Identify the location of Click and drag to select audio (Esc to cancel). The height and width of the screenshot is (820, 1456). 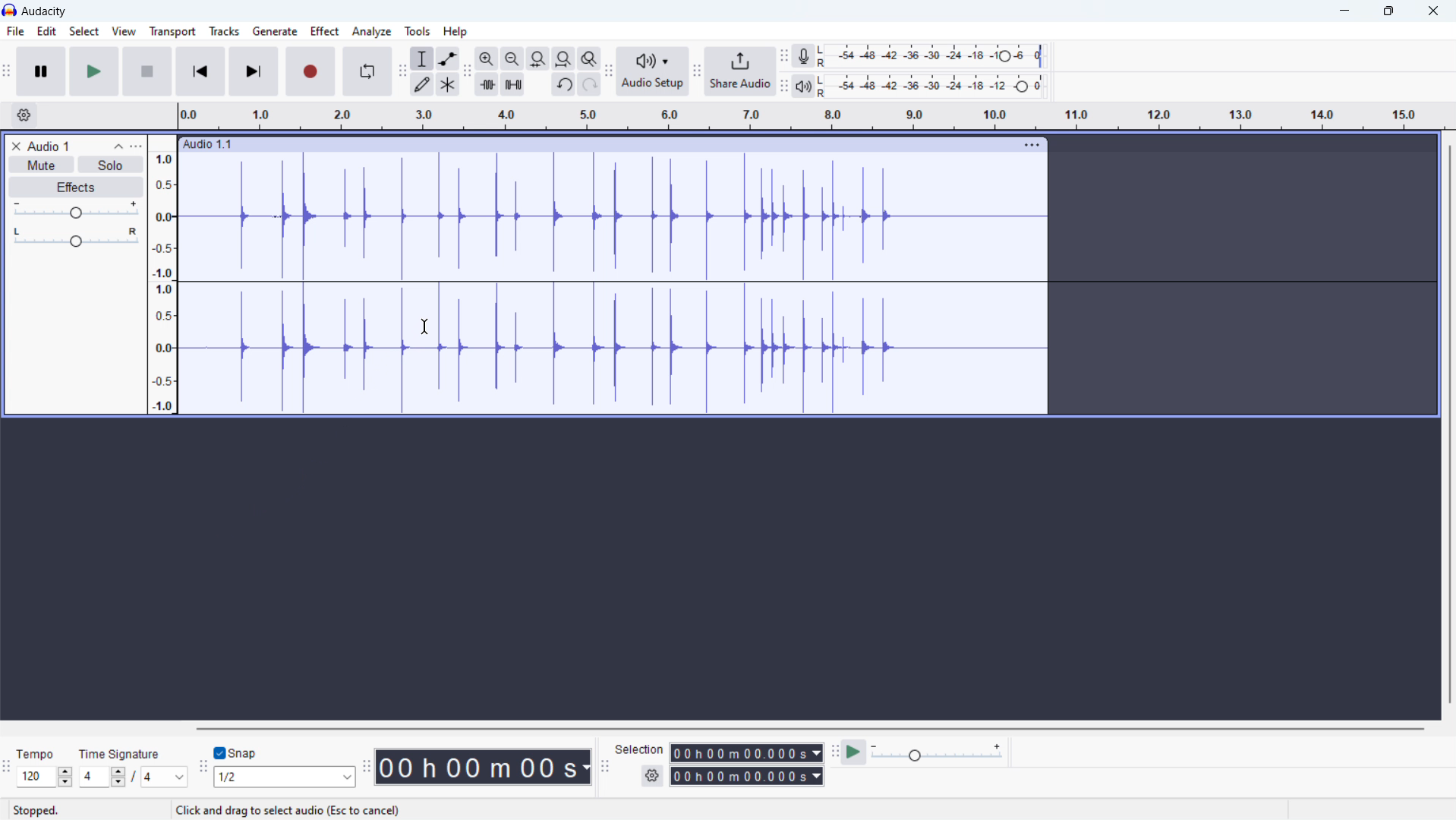
(288, 810).